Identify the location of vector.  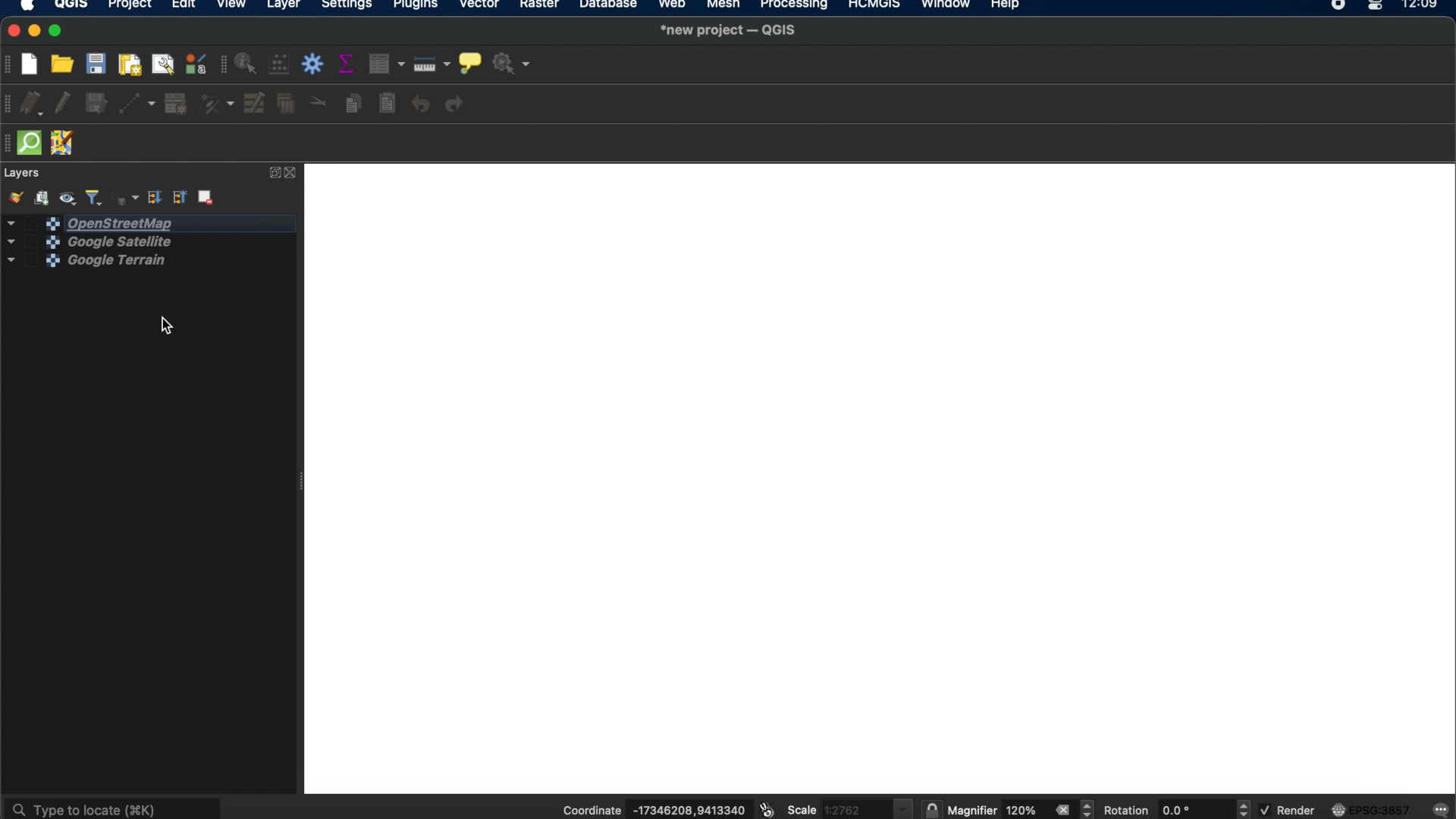
(481, 7).